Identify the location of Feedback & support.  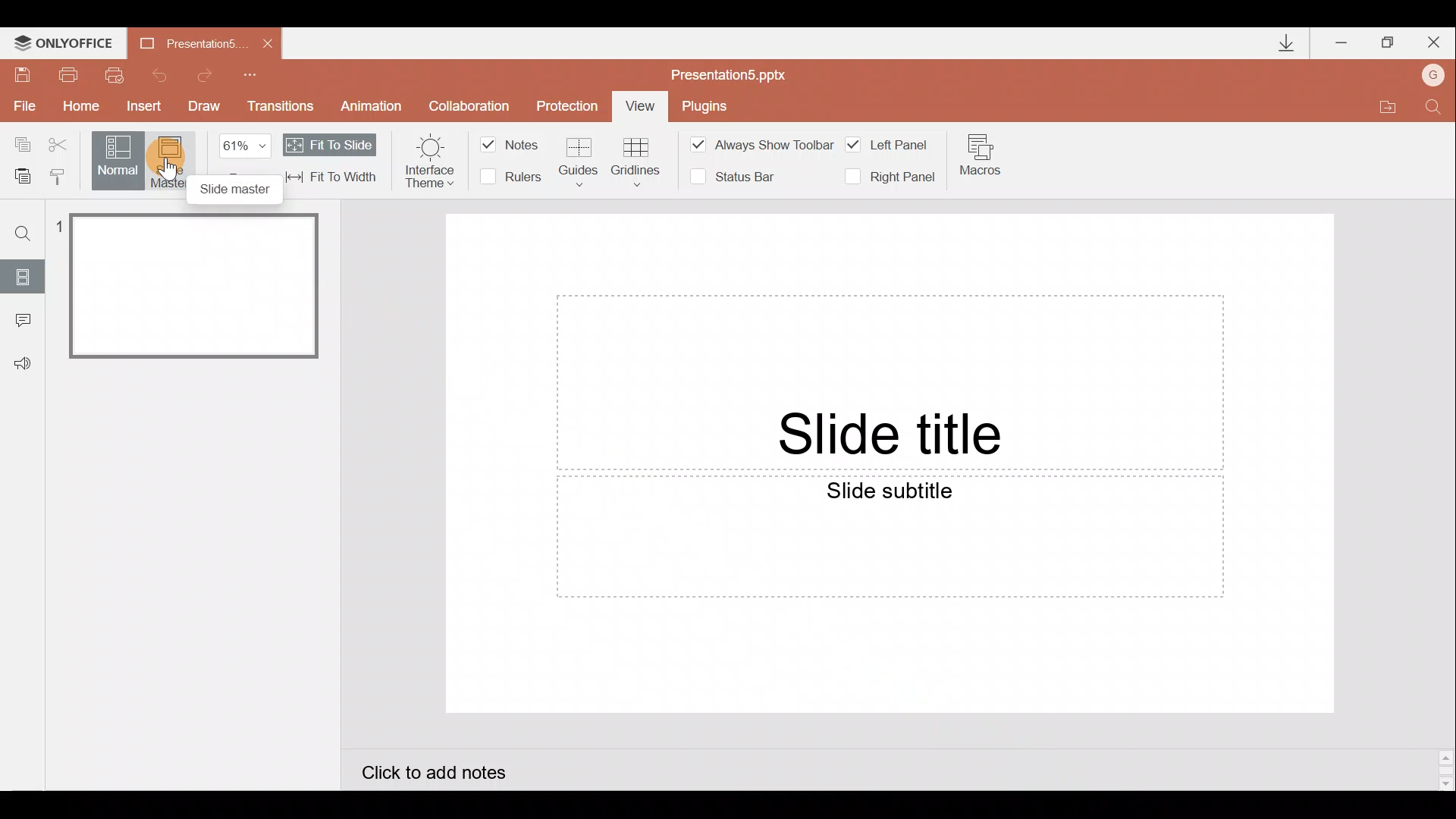
(23, 365).